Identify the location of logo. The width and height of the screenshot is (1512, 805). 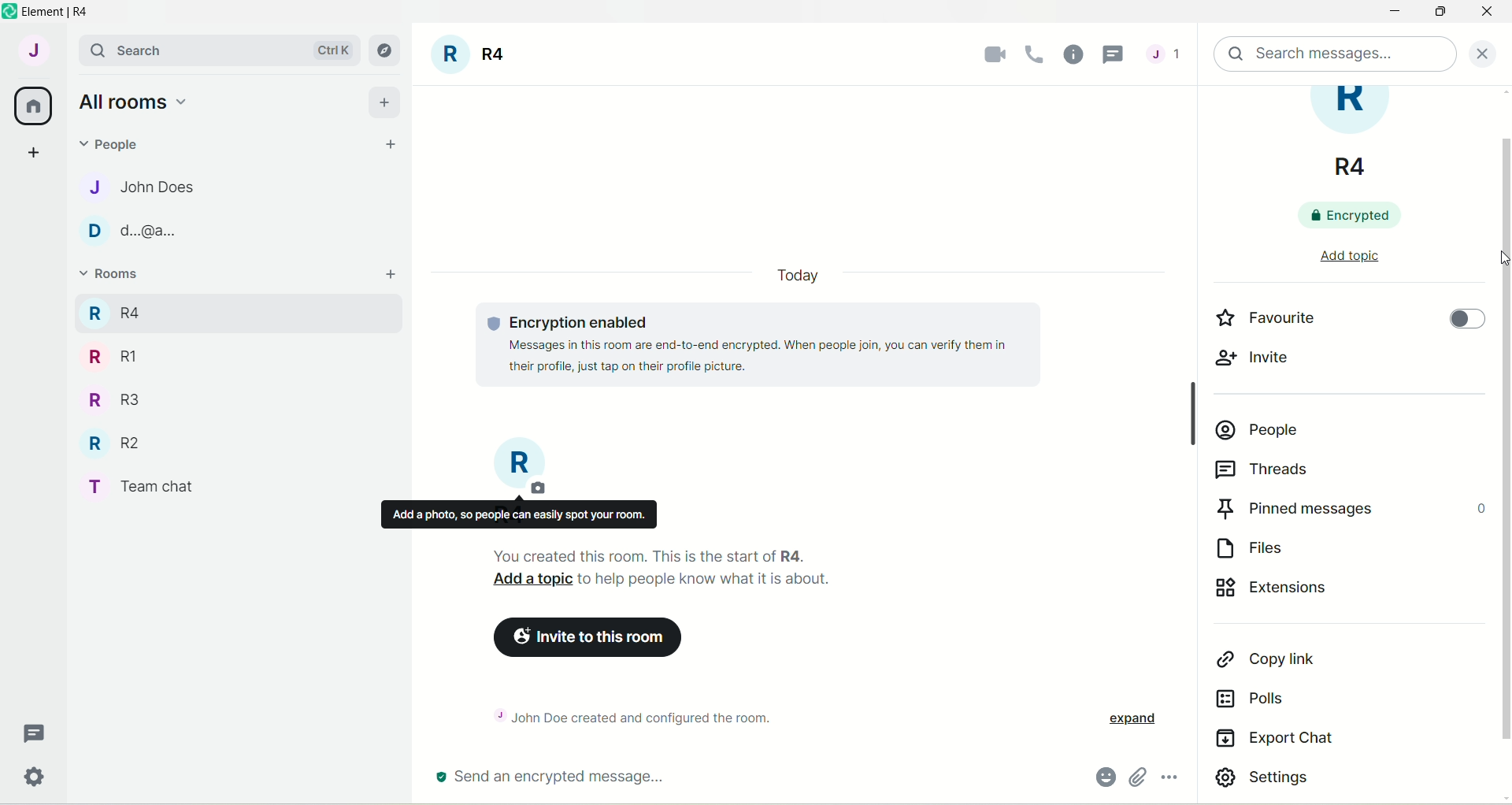
(9, 12).